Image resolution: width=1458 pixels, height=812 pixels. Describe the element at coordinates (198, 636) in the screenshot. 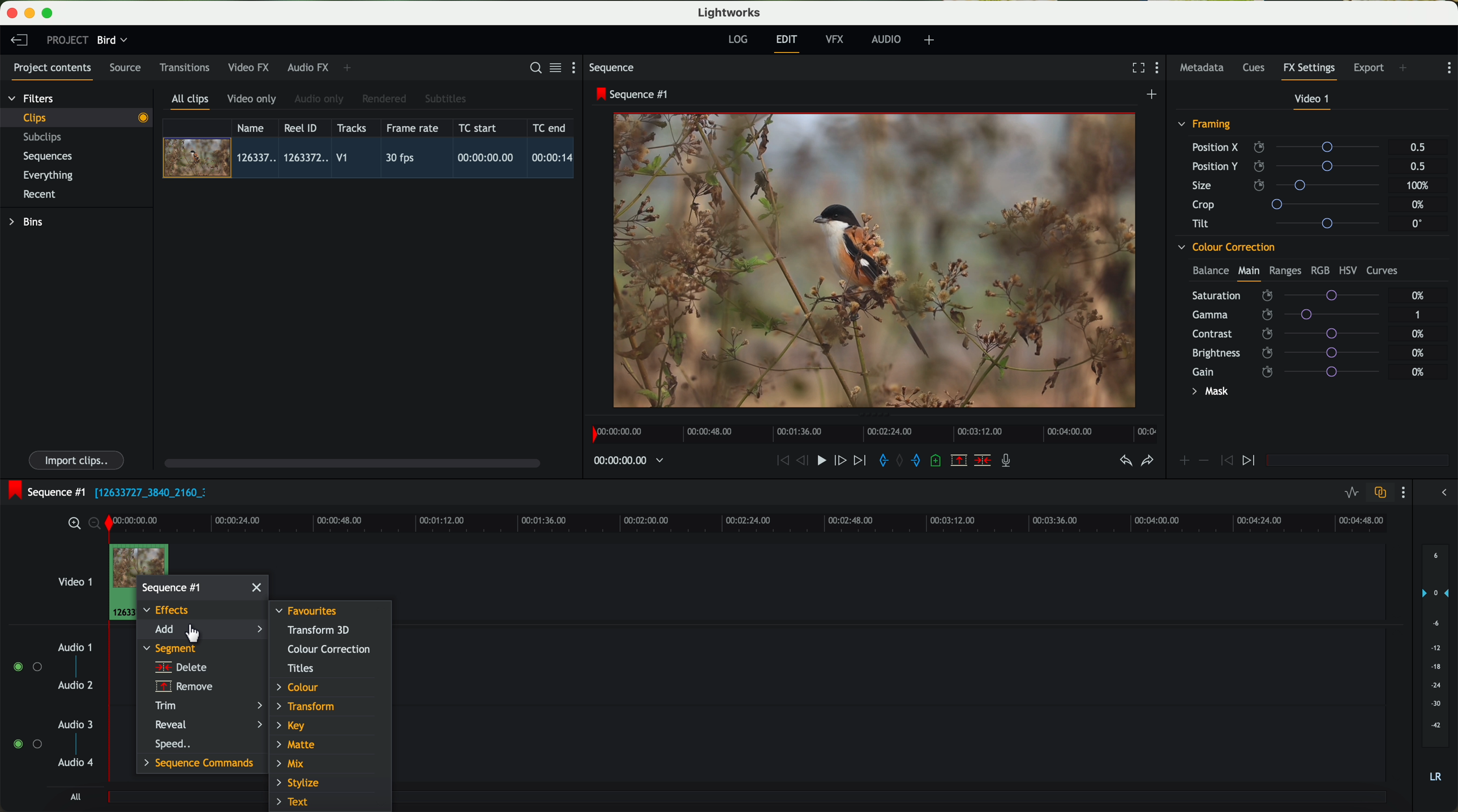

I see `Mouse Cursor` at that location.